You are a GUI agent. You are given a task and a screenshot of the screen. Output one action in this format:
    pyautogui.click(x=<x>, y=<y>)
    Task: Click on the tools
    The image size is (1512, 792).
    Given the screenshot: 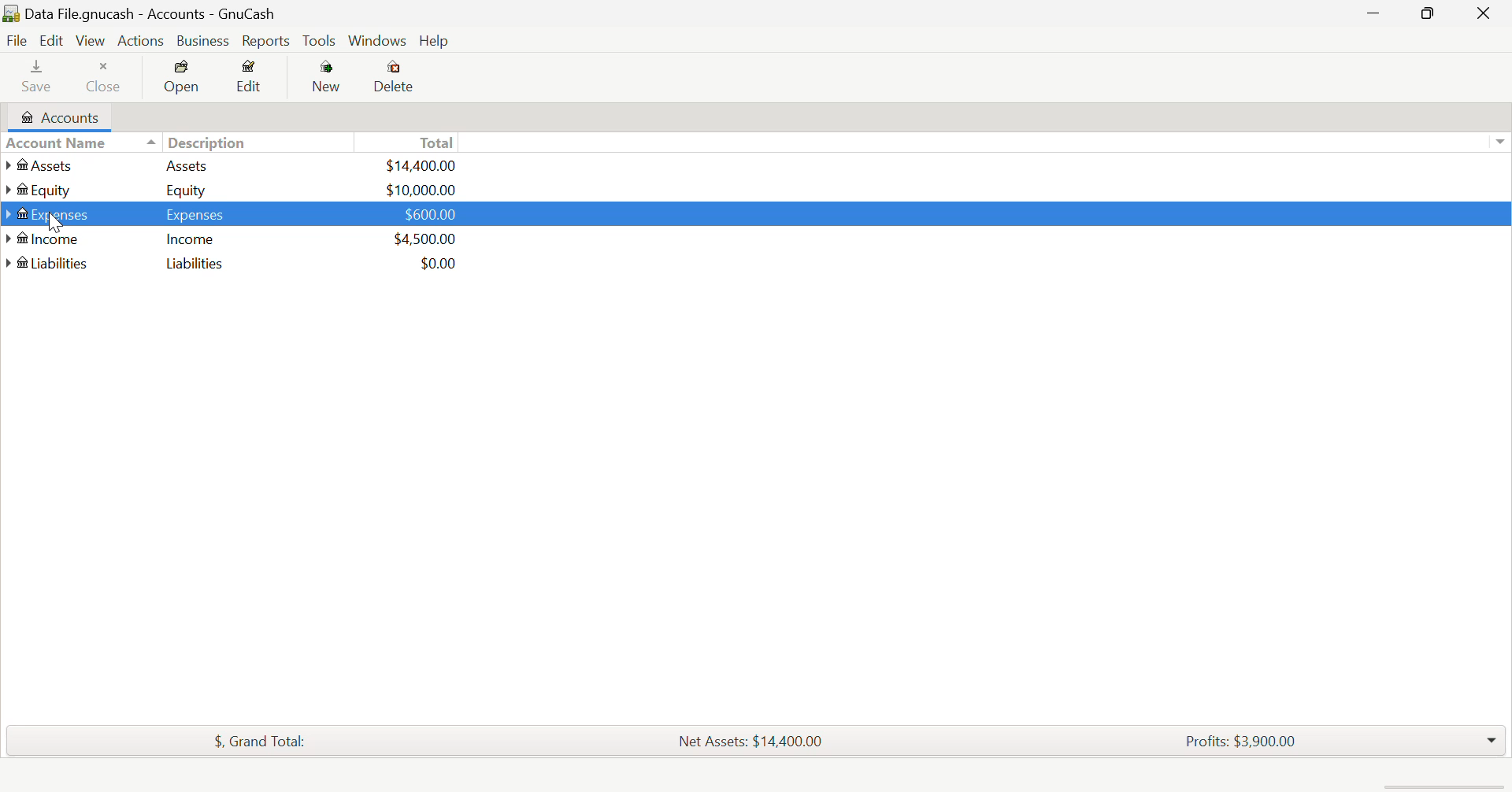 What is the action you would take?
    pyautogui.click(x=321, y=41)
    